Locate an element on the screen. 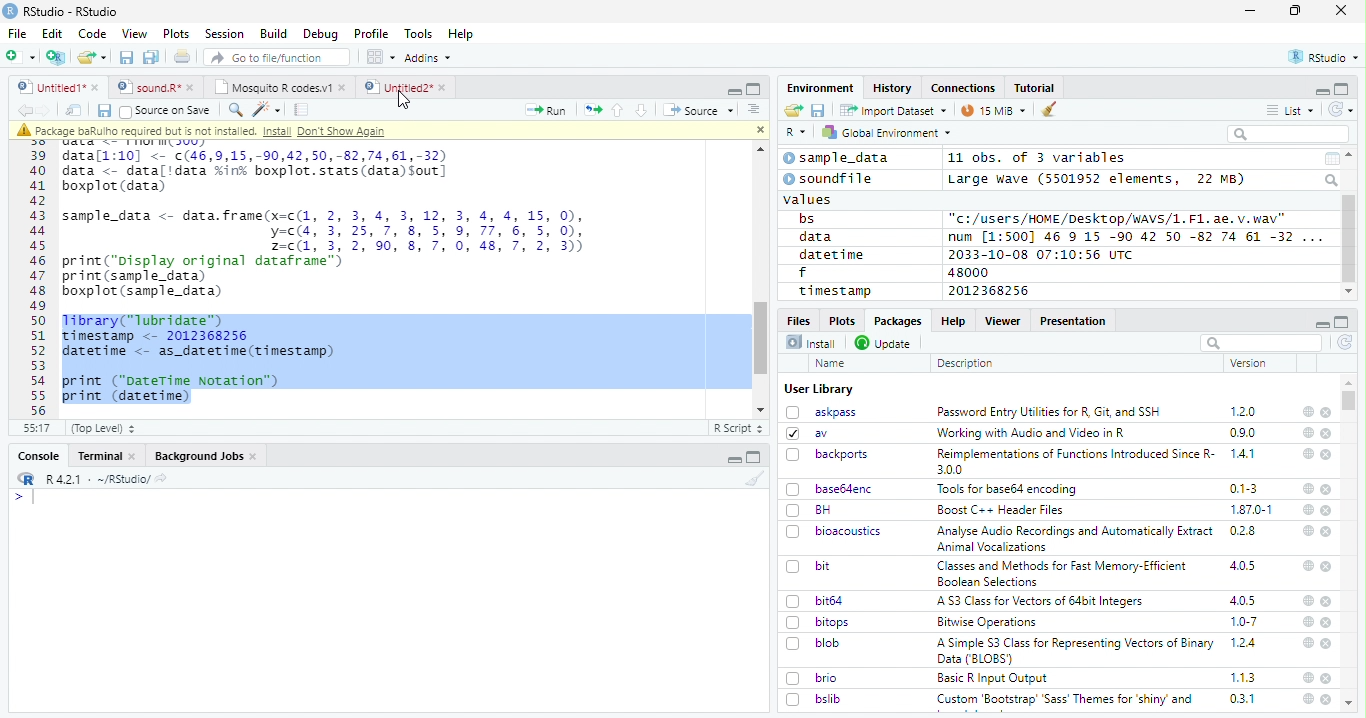  Connections is located at coordinates (962, 88).